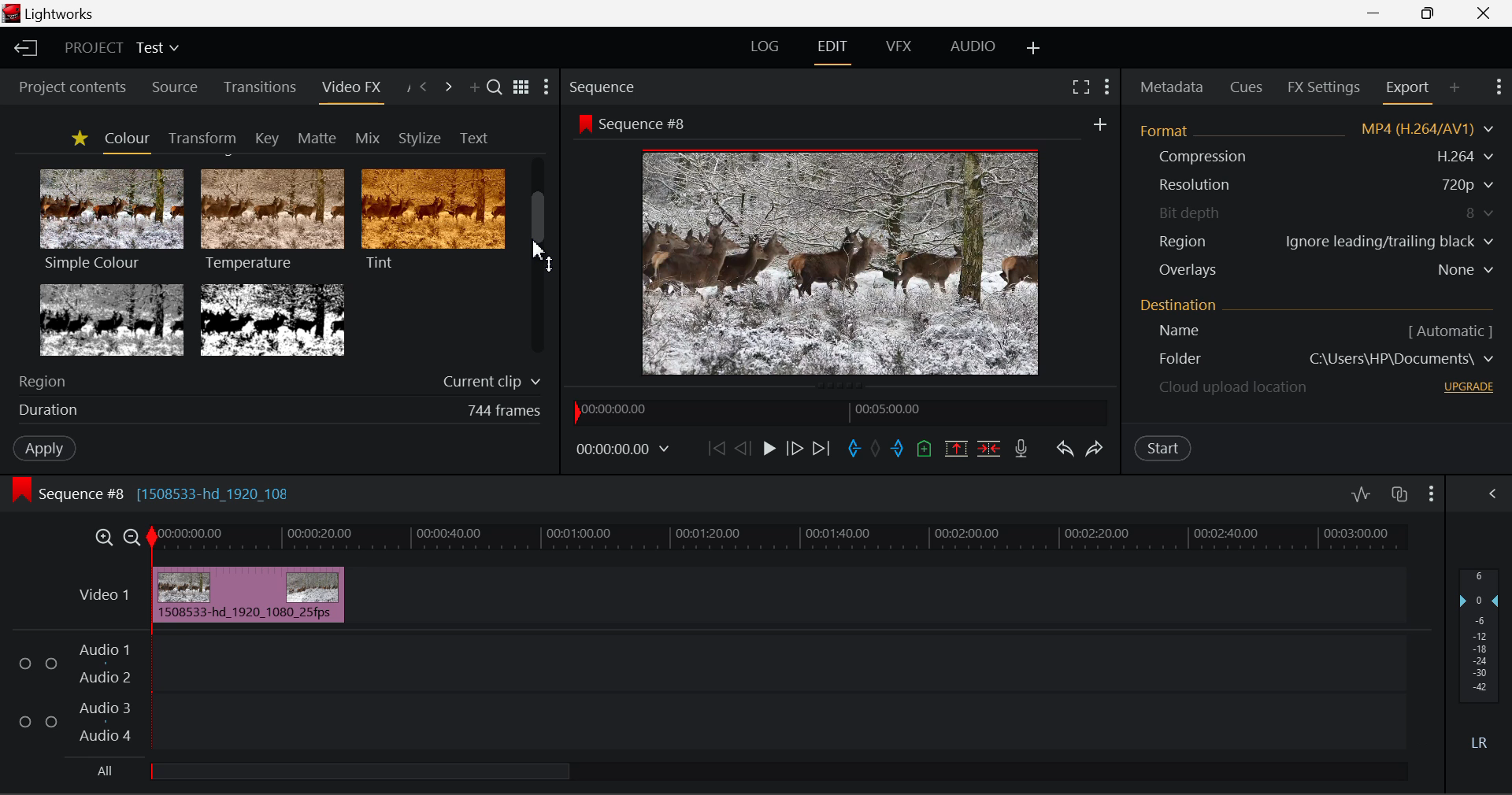 The image size is (1512, 795). Describe the element at coordinates (875, 450) in the screenshot. I see `Remove all marks` at that location.